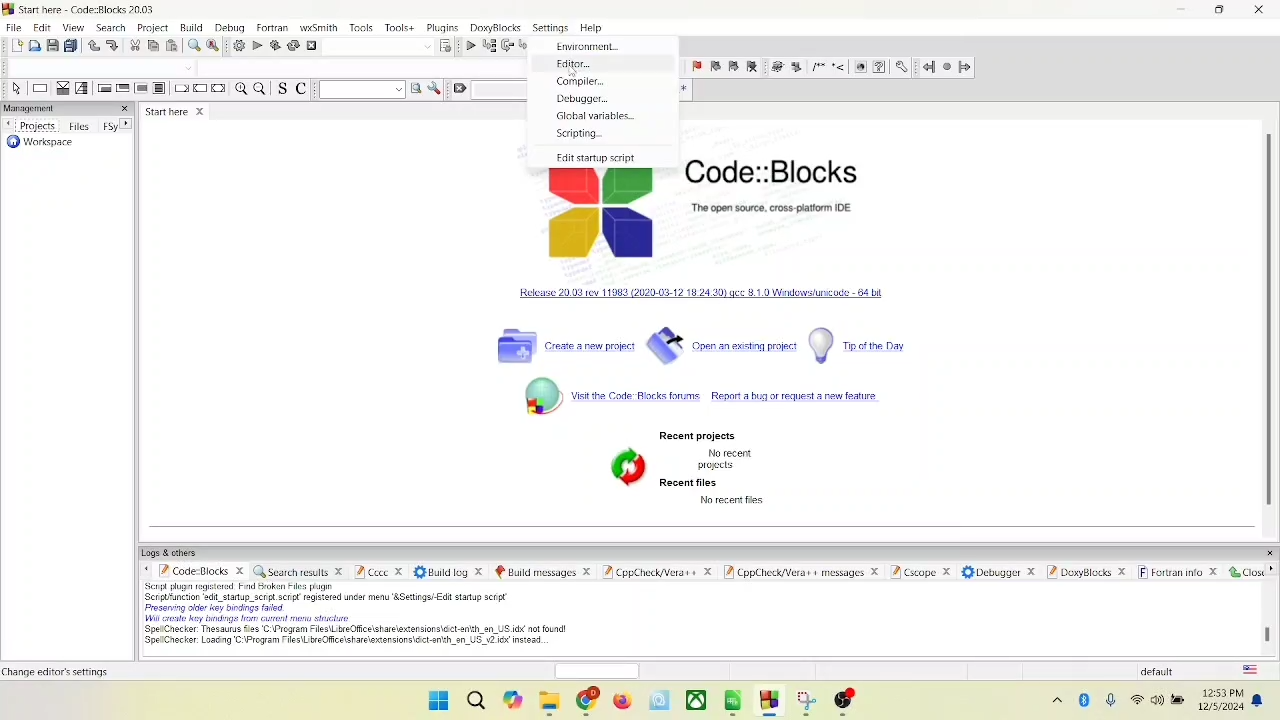 This screenshot has height=720, width=1280. Describe the element at coordinates (722, 297) in the screenshot. I see `windows unicode` at that location.